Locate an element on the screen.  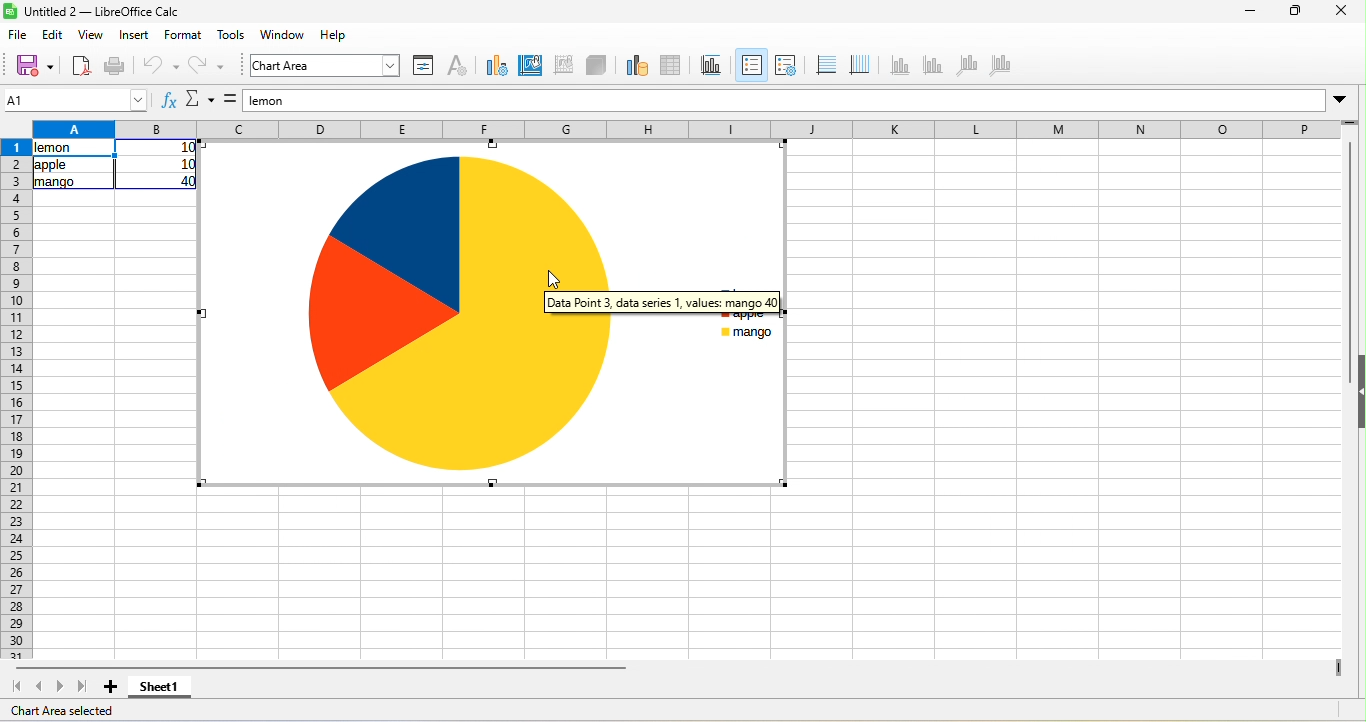
pie chart is located at coordinates (455, 316).